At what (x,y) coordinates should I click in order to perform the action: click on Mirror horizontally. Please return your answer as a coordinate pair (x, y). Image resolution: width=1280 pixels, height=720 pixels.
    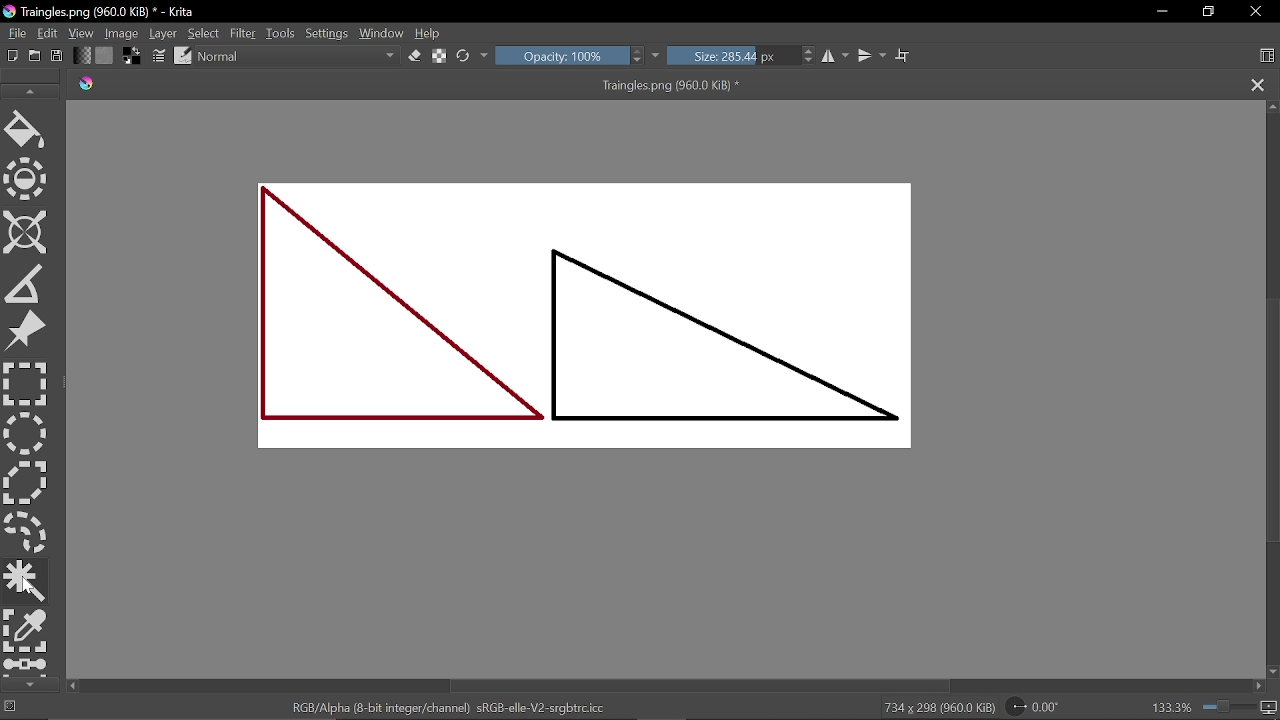
    Looking at the image, I should click on (836, 55).